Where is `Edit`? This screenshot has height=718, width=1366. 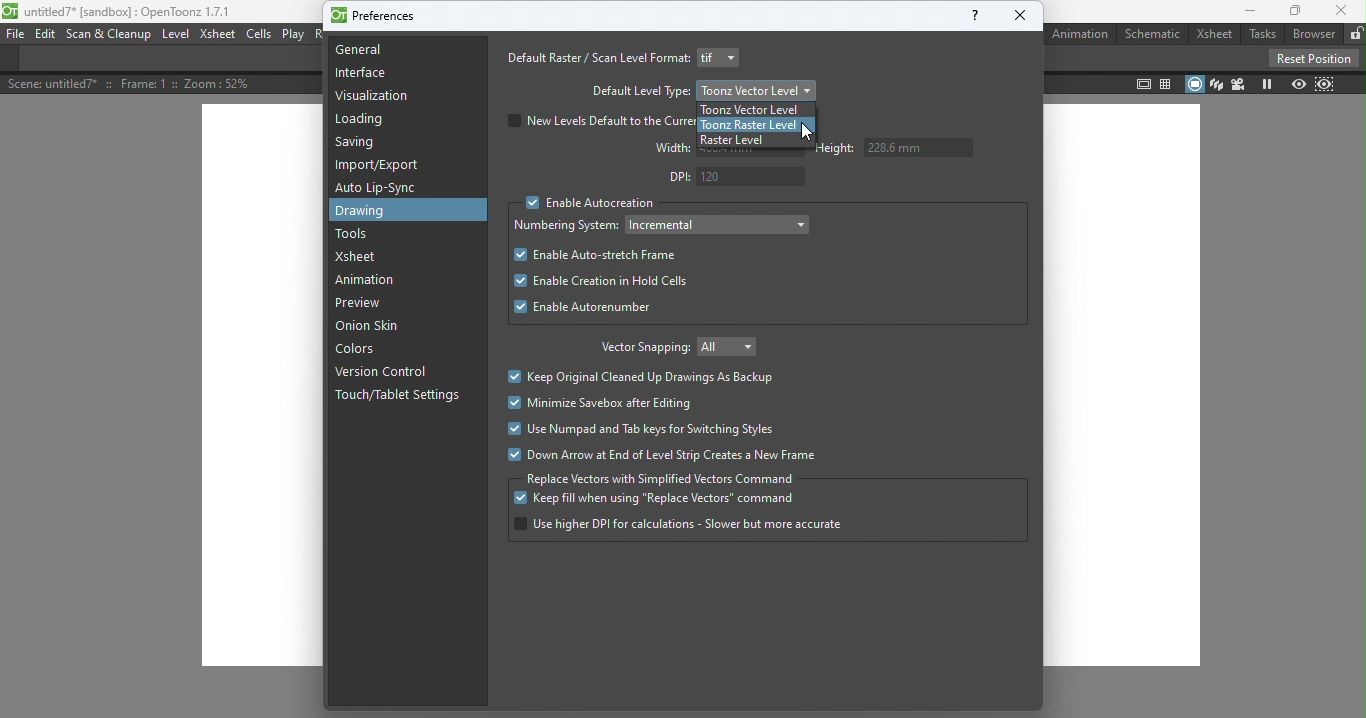
Edit is located at coordinates (46, 35).